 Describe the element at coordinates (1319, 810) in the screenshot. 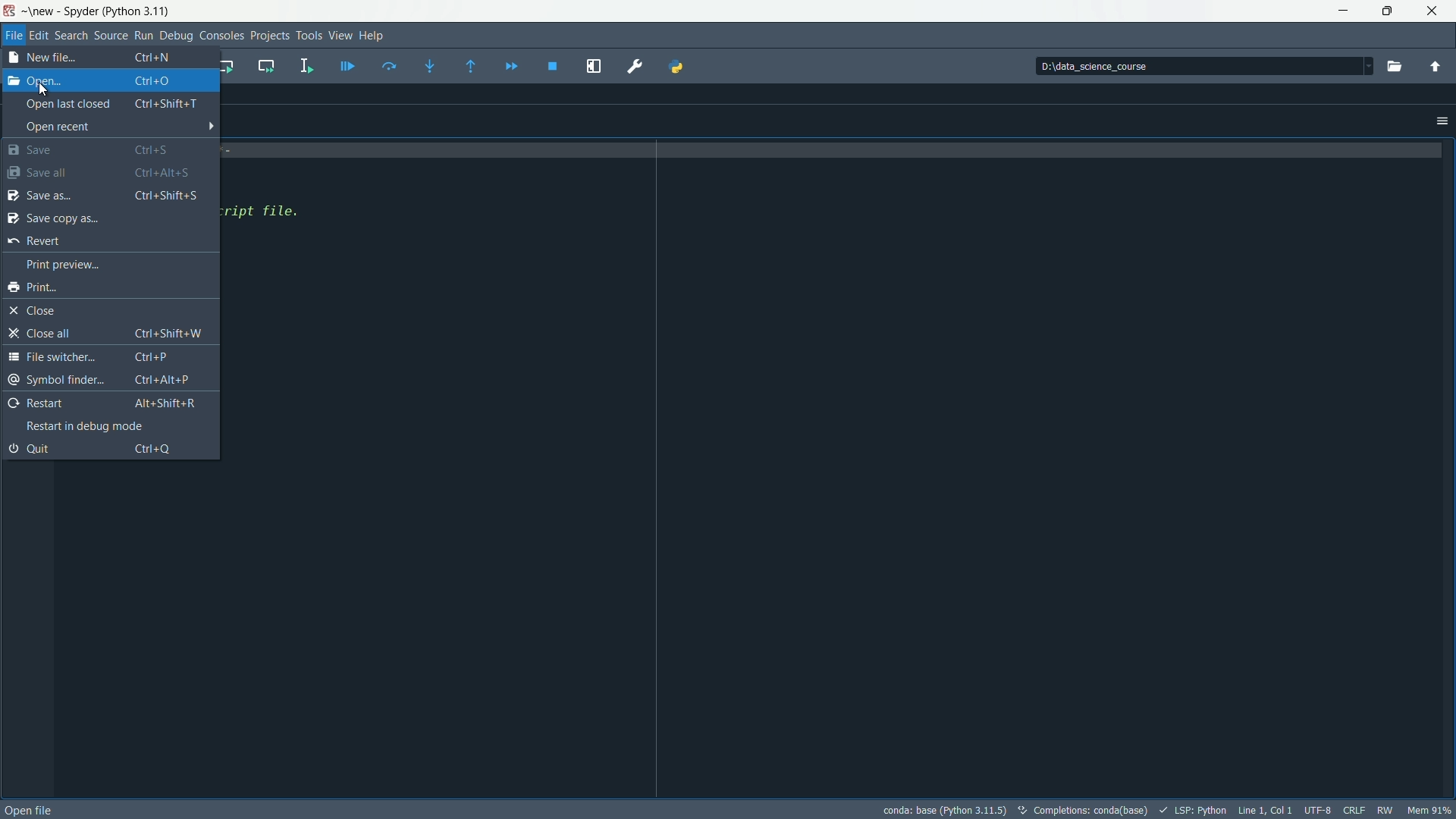

I see `file encoding` at that location.